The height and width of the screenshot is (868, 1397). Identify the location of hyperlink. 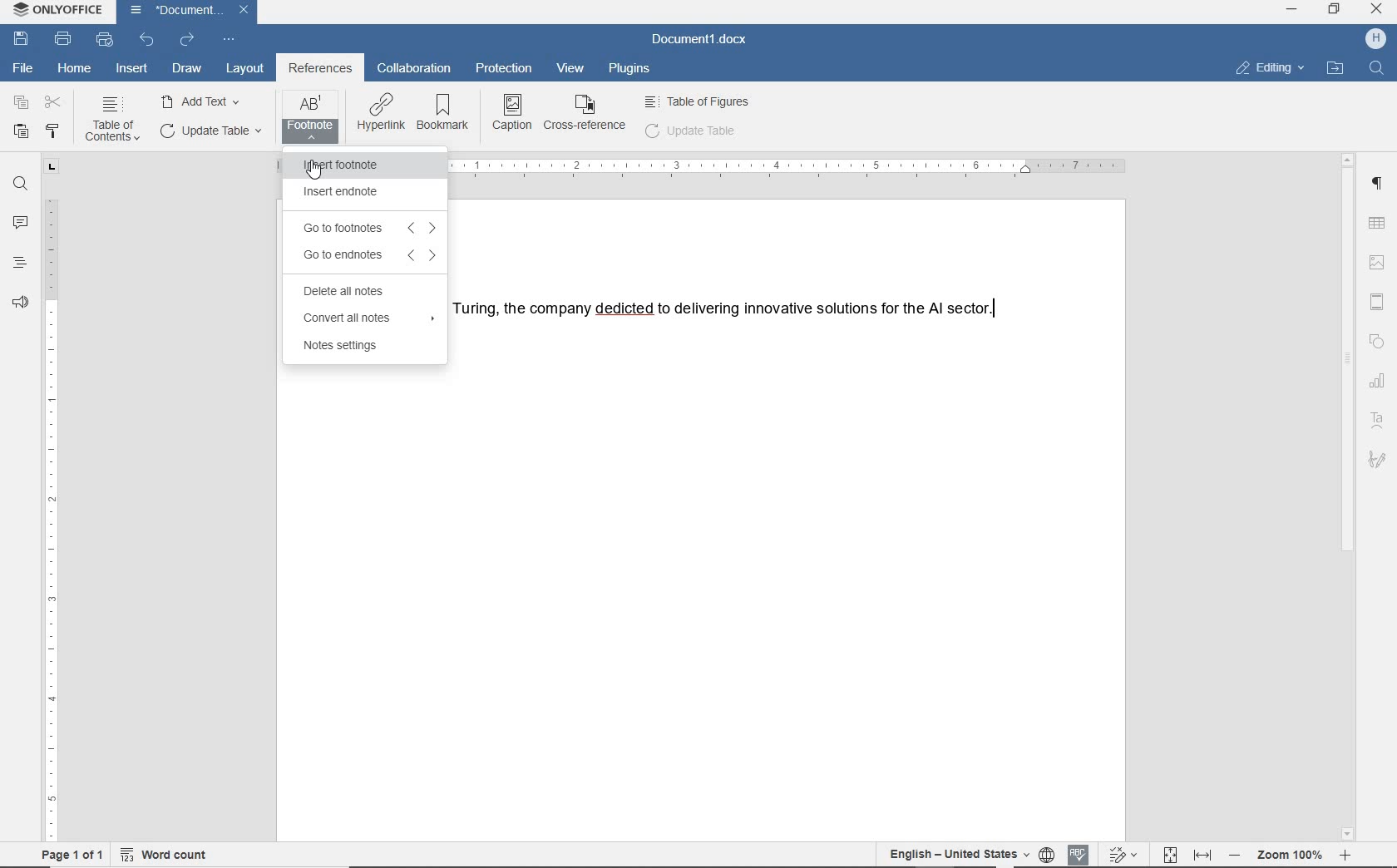
(381, 114).